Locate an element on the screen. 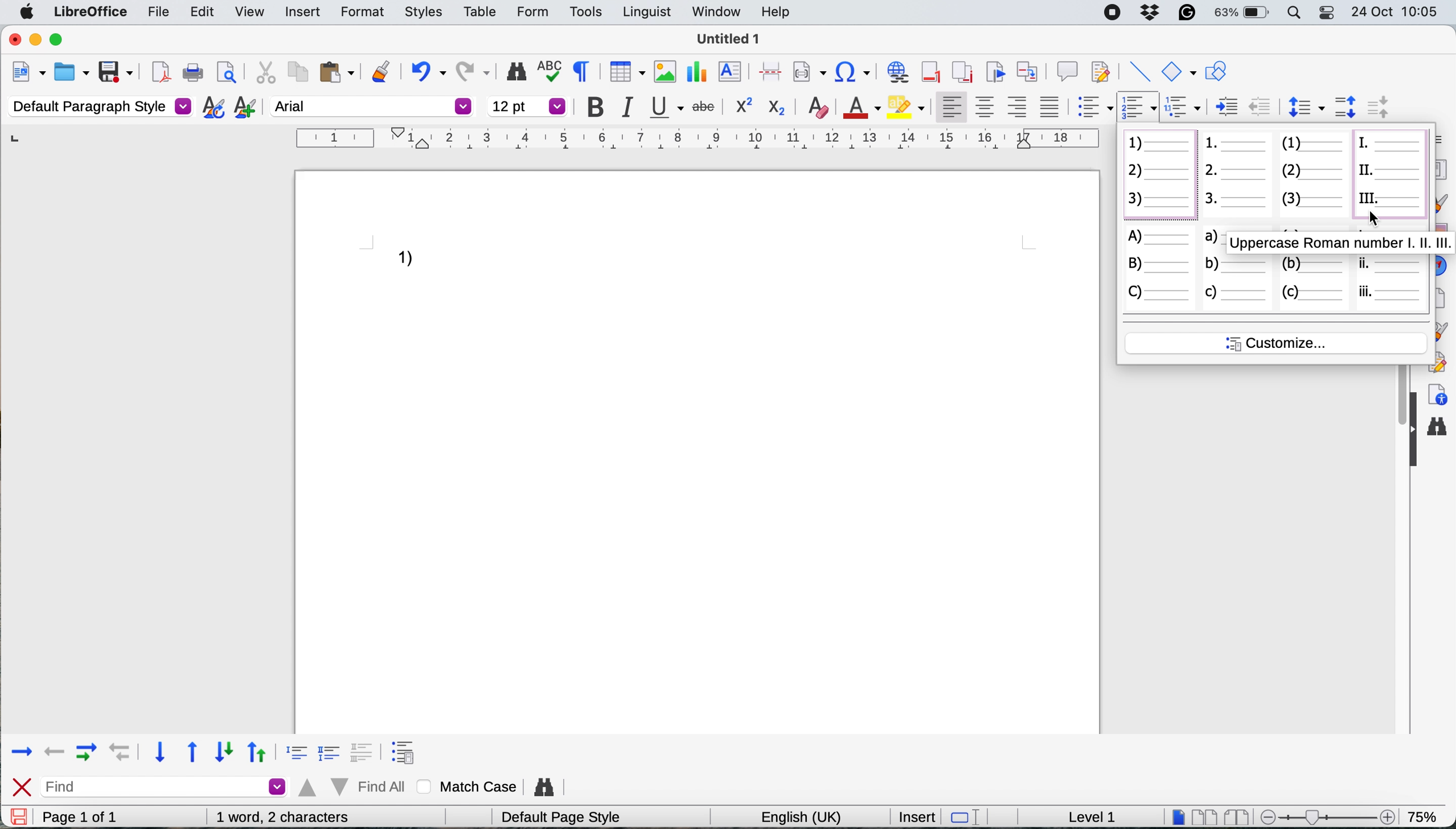 The image size is (1456, 829). cut is located at coordinates (265, 72).